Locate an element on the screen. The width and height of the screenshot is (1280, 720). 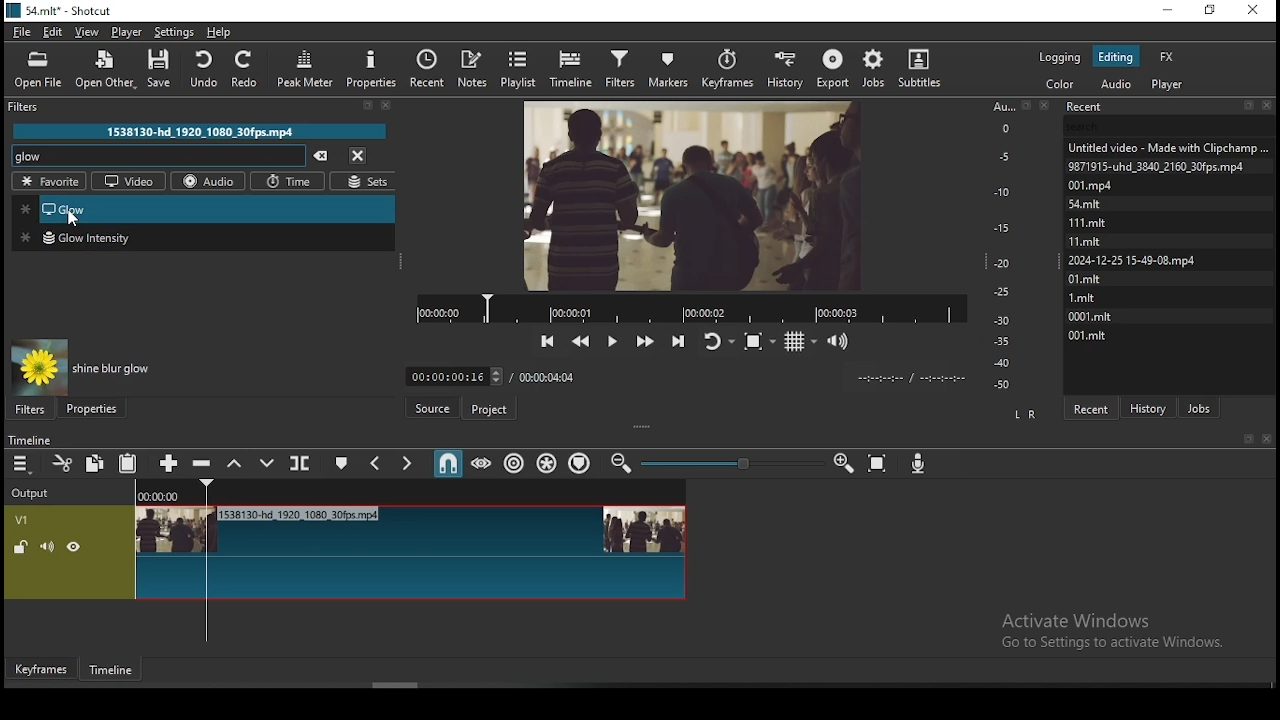
glow is located at coordinates (205, 208).